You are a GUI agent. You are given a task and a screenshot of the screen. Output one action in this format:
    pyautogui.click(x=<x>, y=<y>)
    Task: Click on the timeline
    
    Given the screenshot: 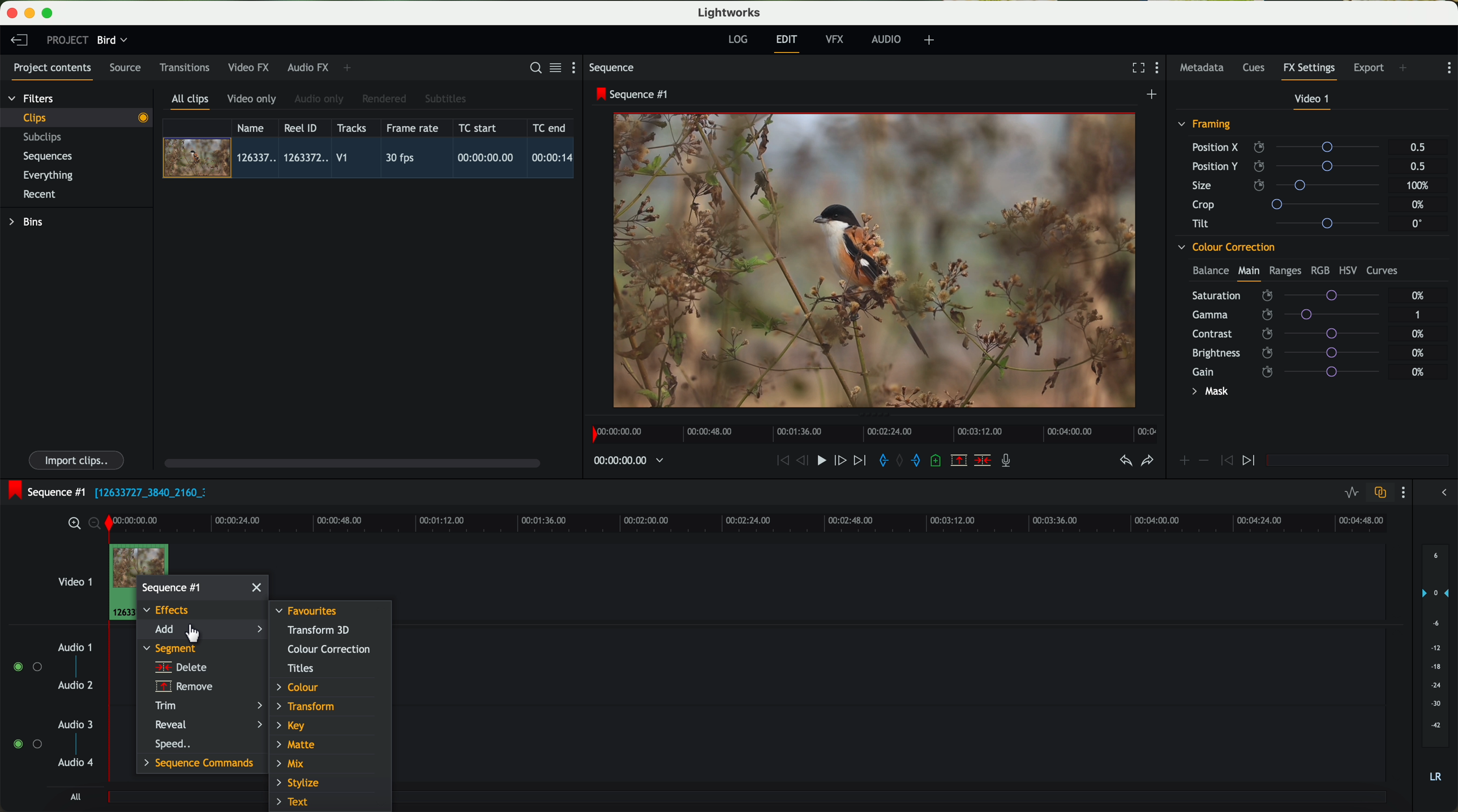 What is the action you would take?
    pyautogui.click(x=623, y=461)
    